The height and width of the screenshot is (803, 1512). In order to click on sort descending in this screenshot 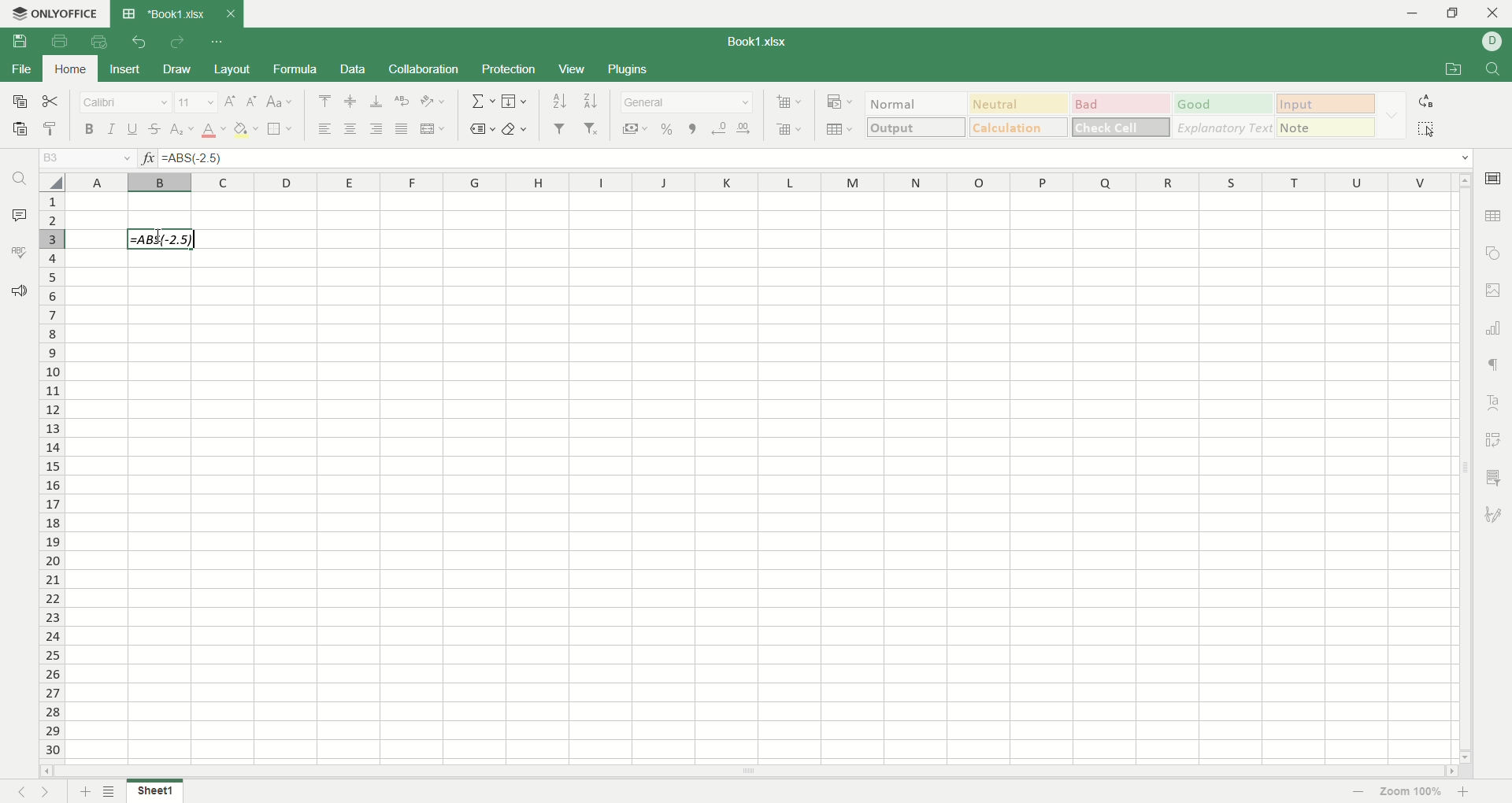, I will do `click(589, 100)`.